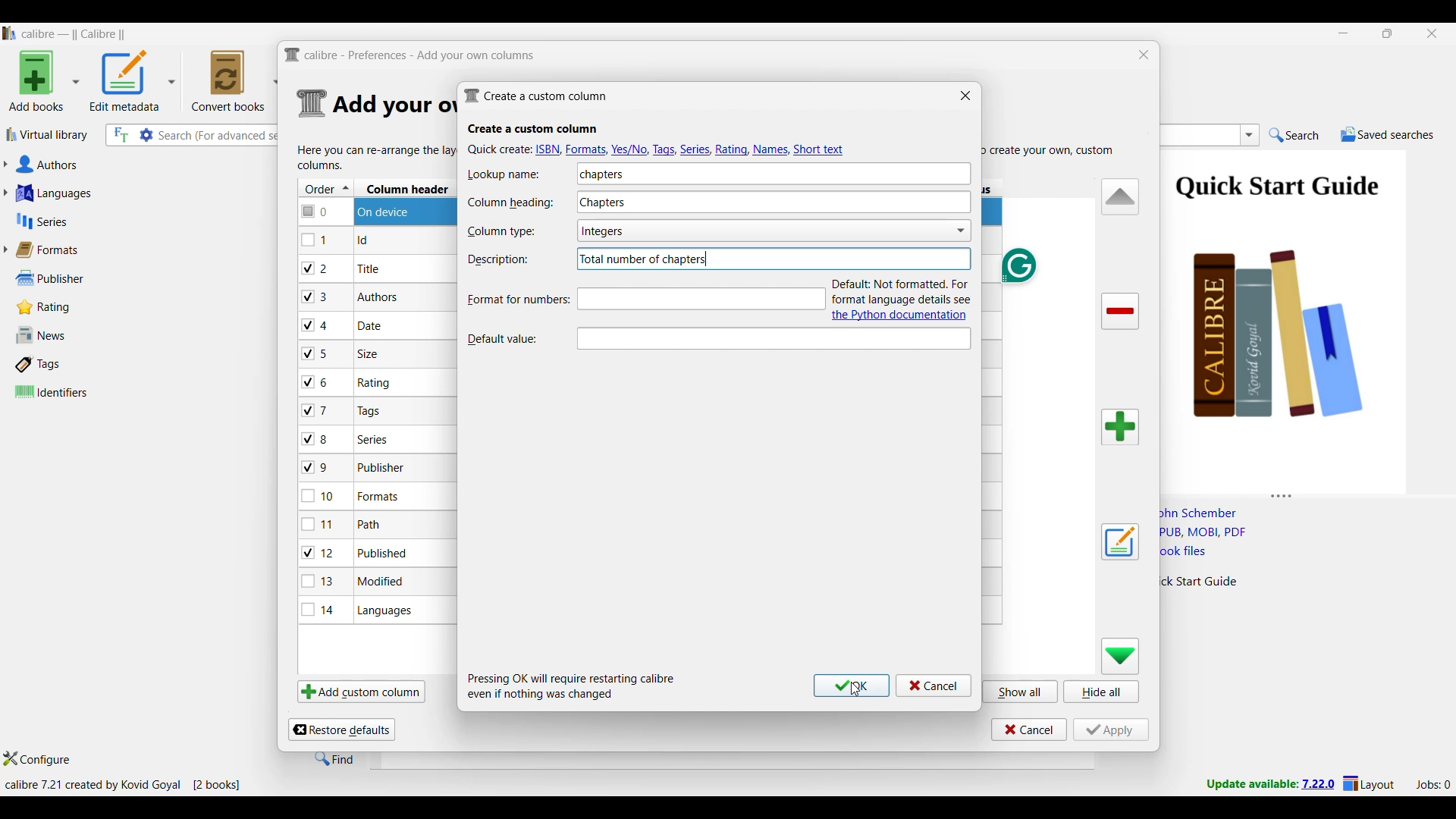  Describe the element at coordinates (316, 210) in the screenshot. I see `checkbox - 0` at that location.